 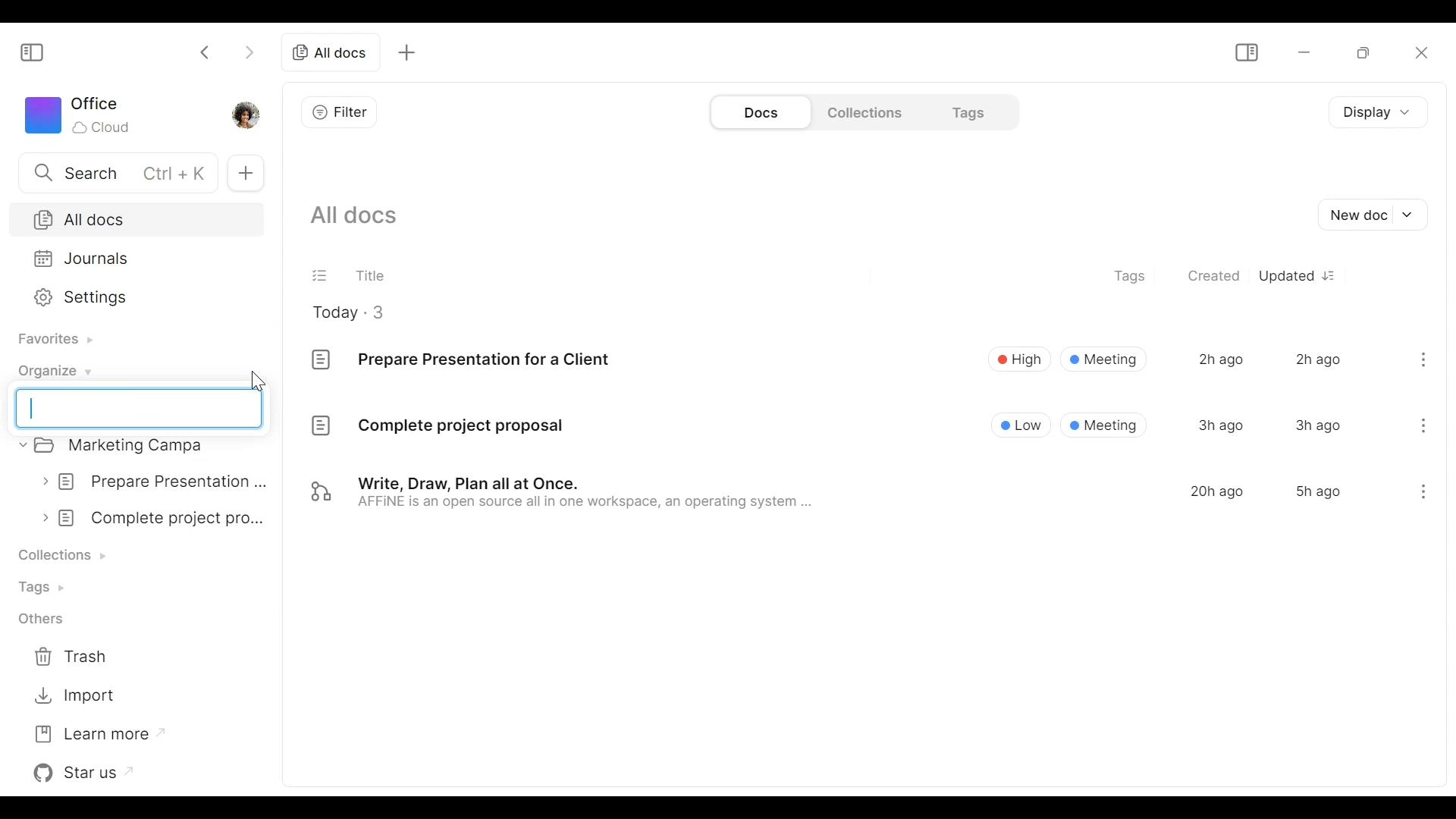 What do you see at coordinates (126, 447) in the screenshot?
I see `Marketing campa` at bounding box center [126, 447].